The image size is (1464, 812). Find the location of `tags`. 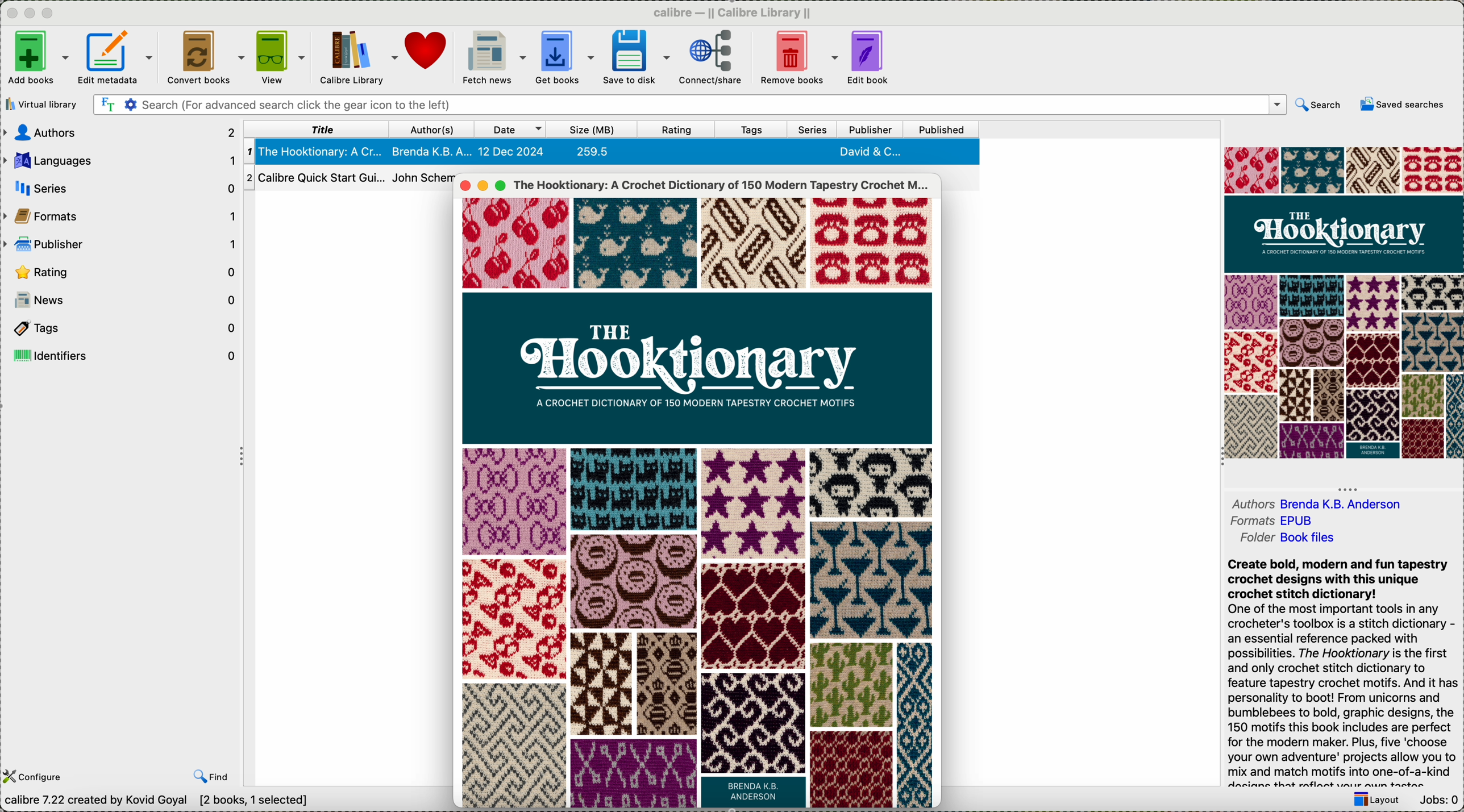

tags is located at coordinates (756, 129).